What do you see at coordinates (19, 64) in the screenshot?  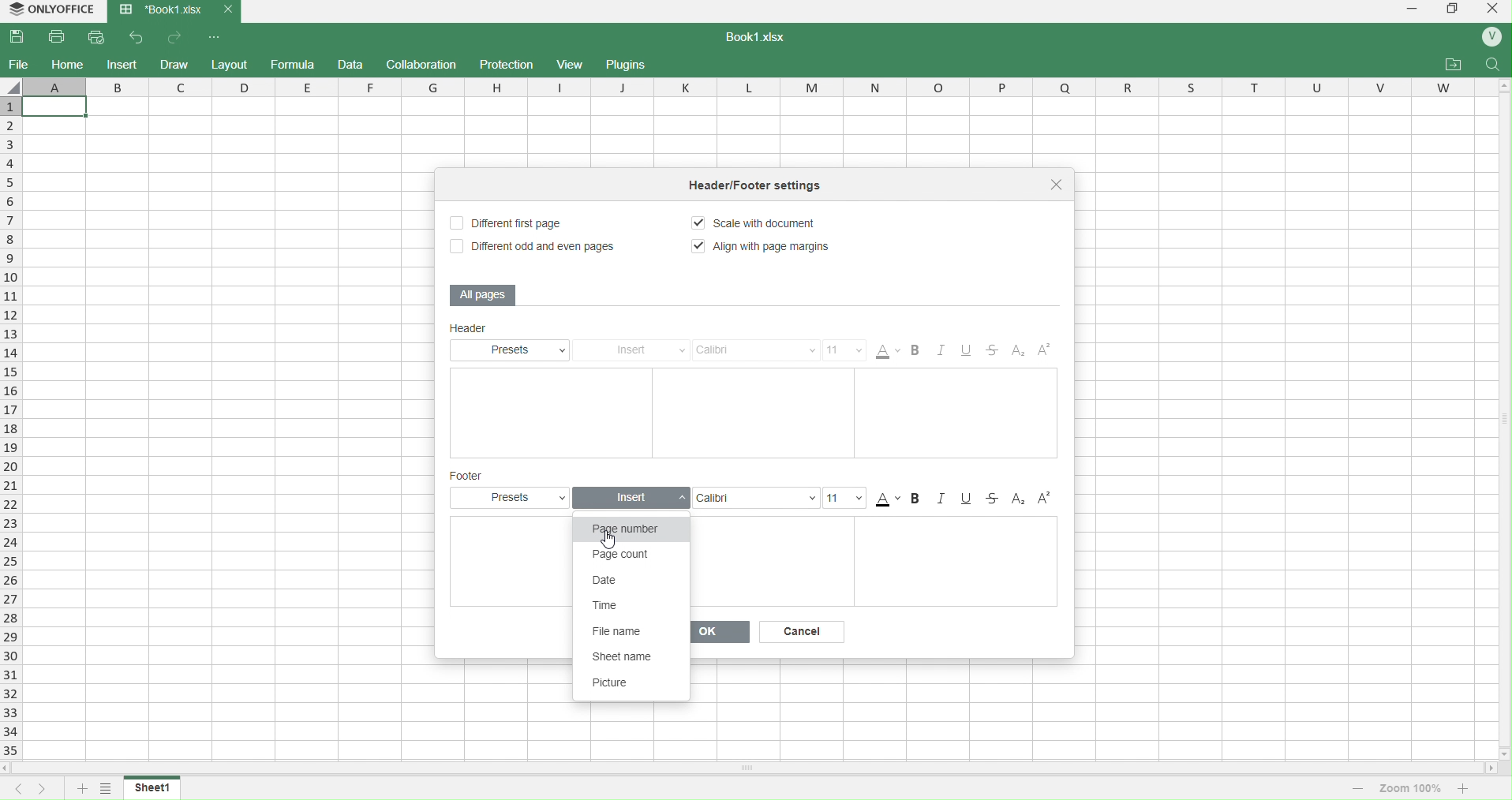 I see `file` at bounding box center [19, 64].